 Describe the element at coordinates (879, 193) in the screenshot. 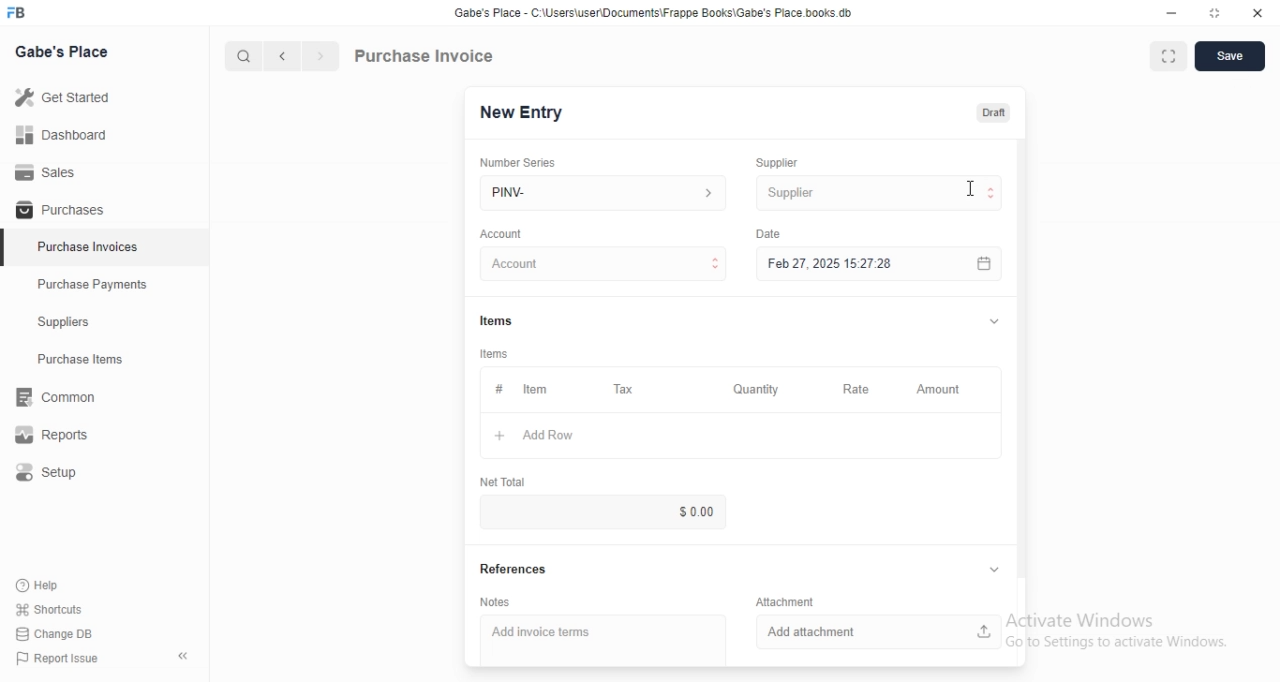

I see `Supplier` at that location.